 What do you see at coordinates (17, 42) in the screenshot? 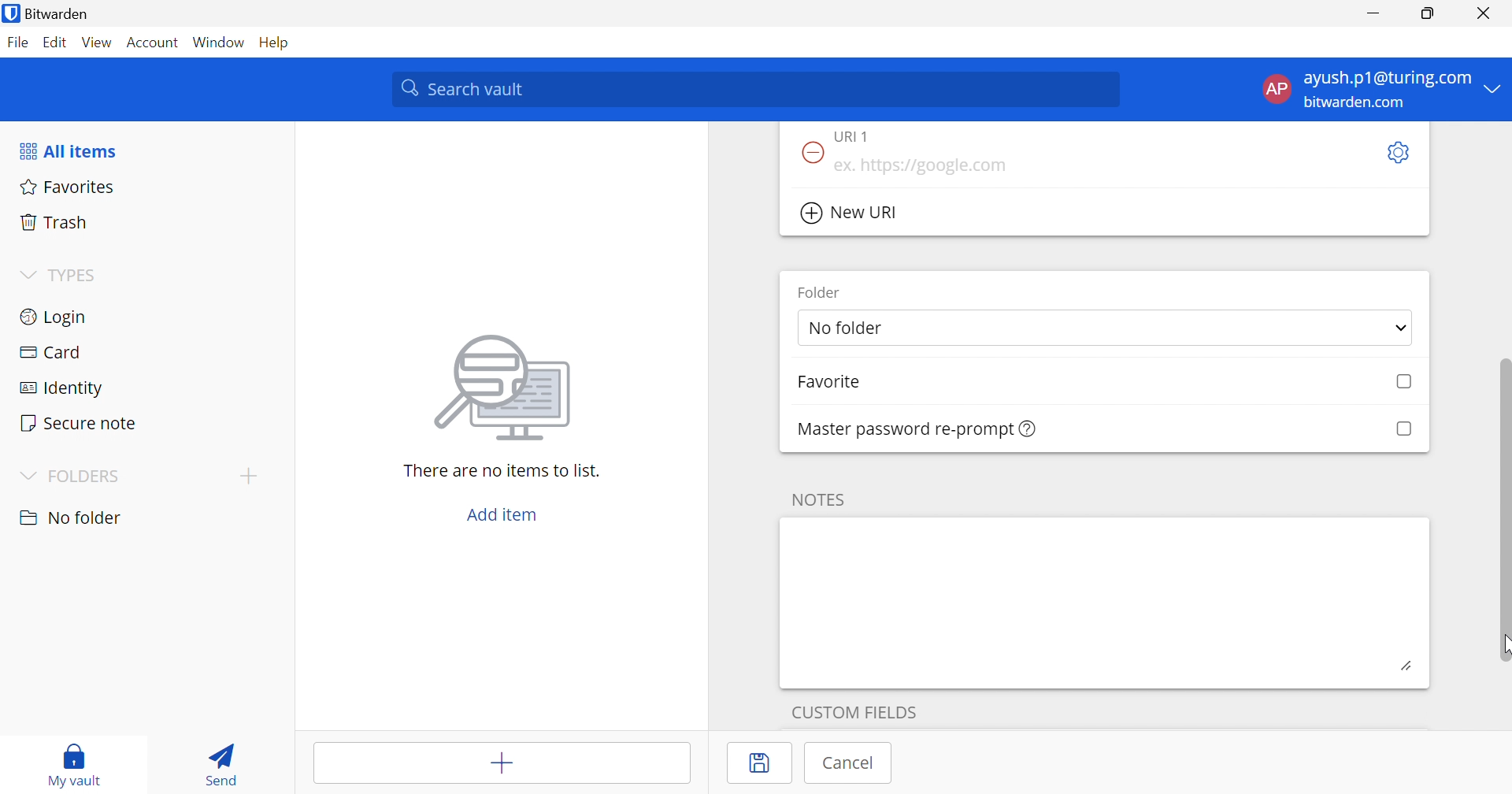
I see `File` at bounding box center [17, 42].